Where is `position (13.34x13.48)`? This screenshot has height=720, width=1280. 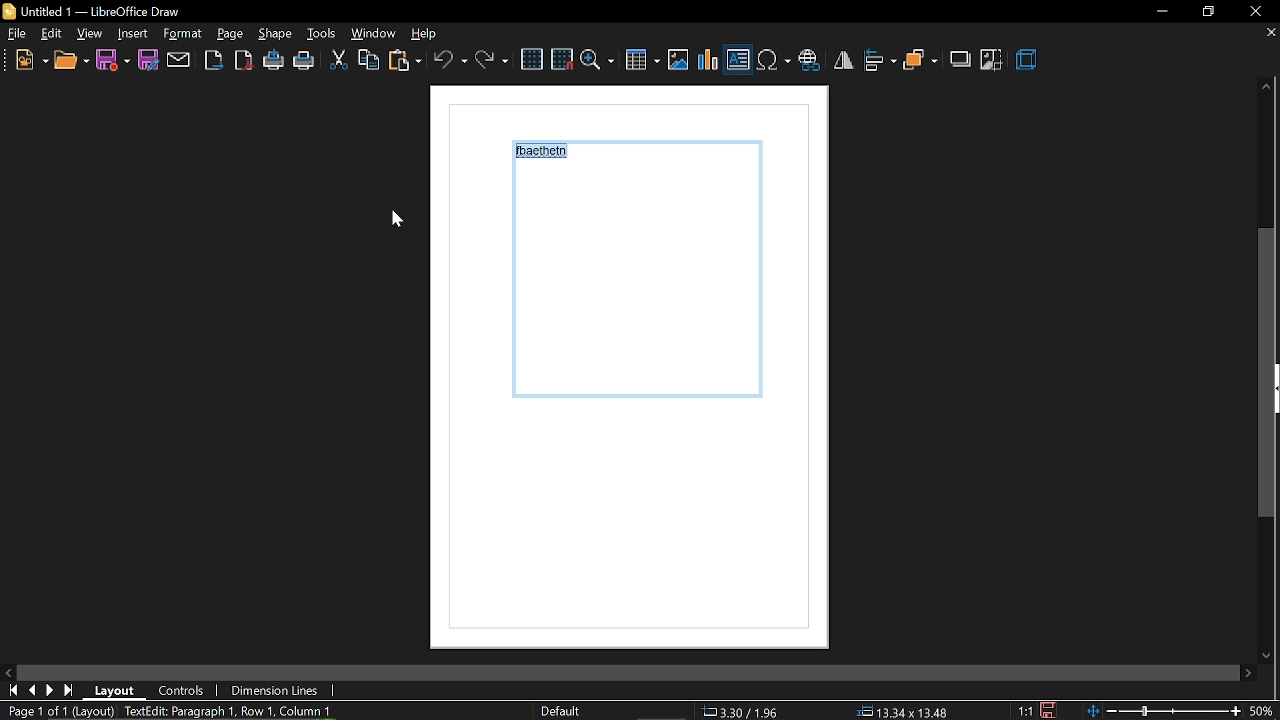
position (13.34x13.48) is located at coordinates (901, 711).